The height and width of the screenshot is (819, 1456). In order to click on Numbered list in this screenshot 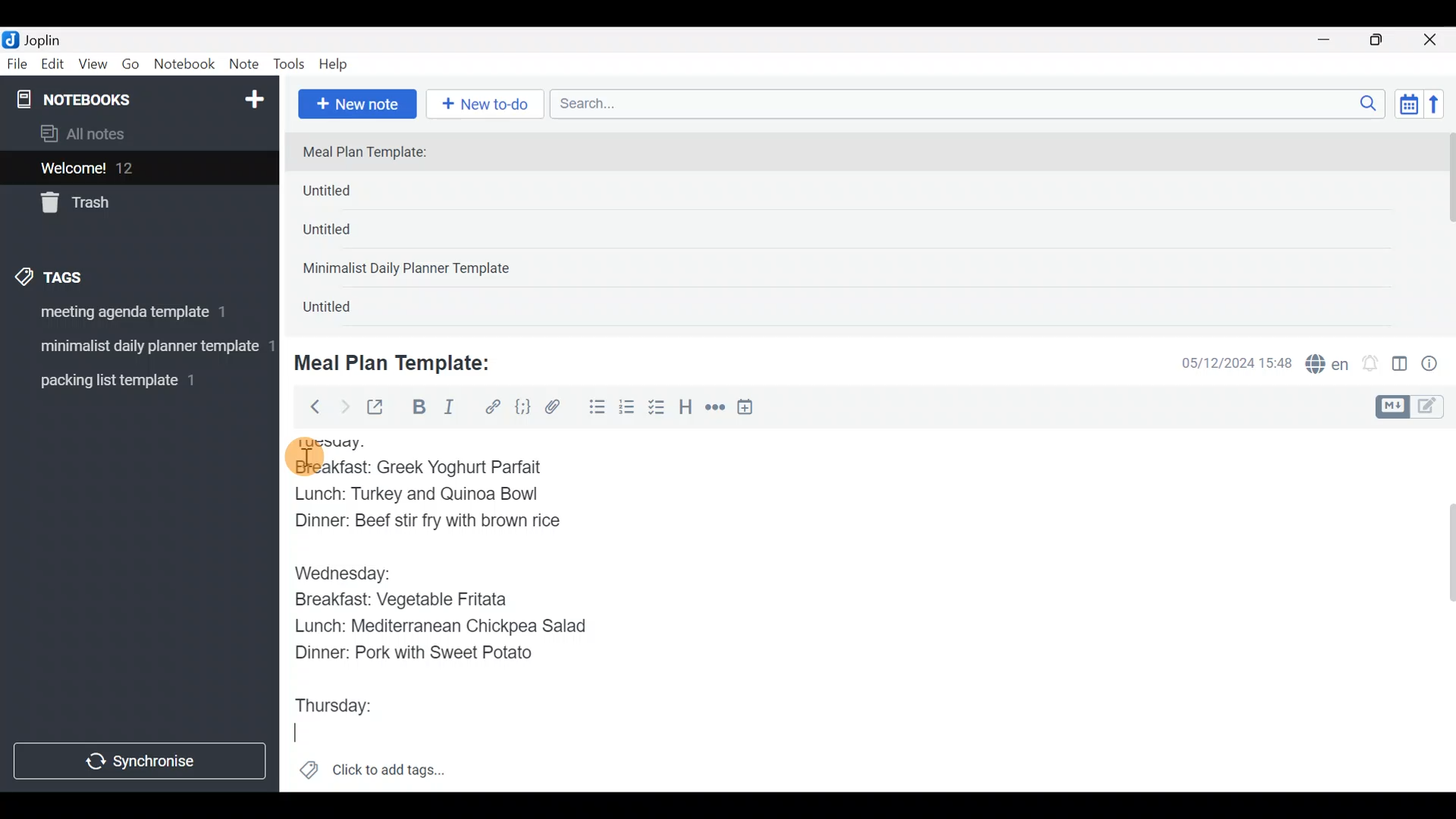, I will do `click(627, 410)`.